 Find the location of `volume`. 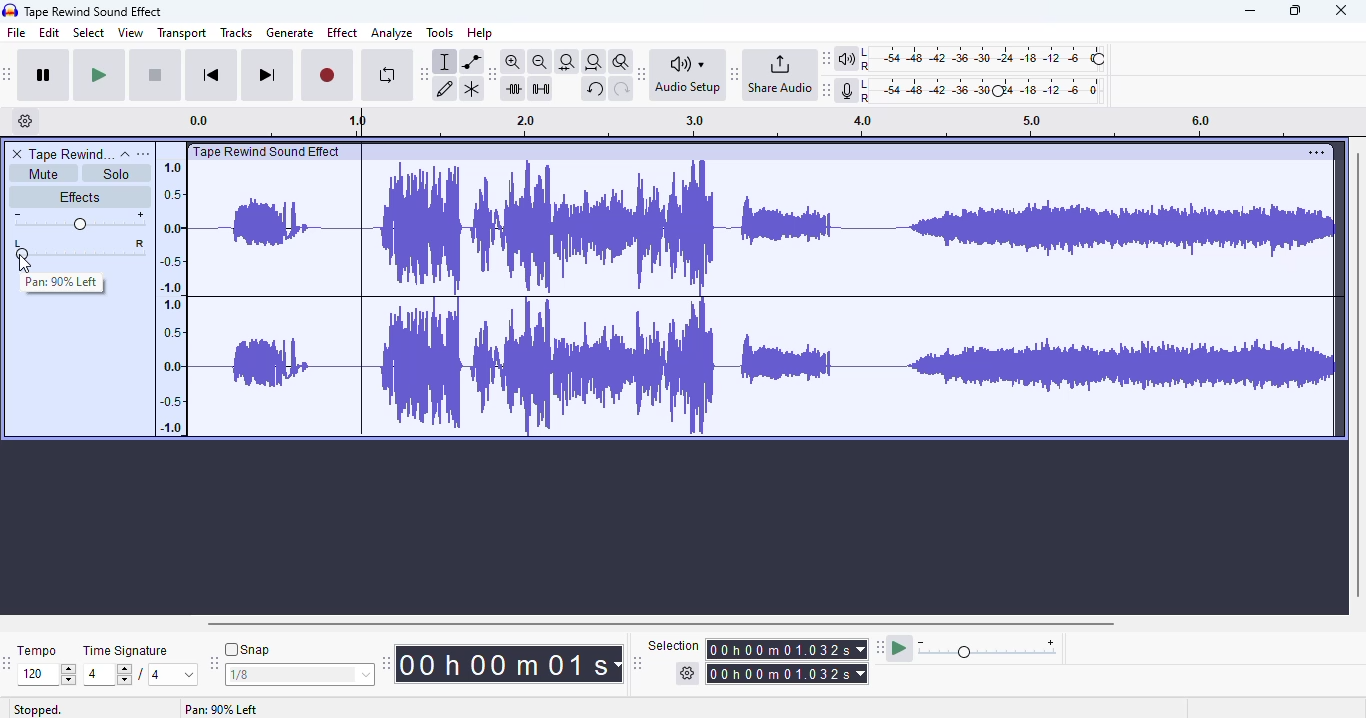

volume is located at coordinates (79, 221).